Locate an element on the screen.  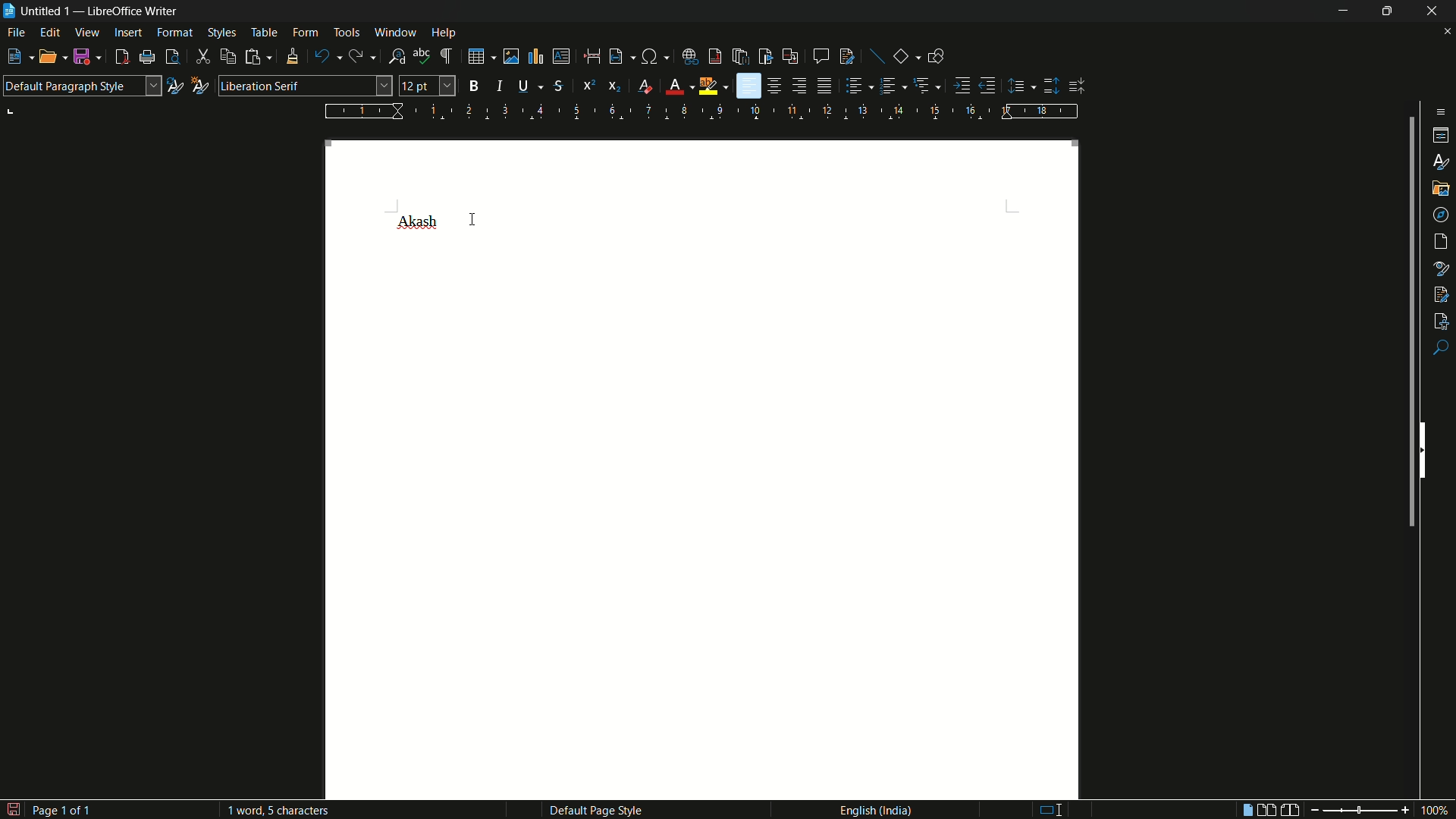
zoom in is located at coordinates (1404, 810).